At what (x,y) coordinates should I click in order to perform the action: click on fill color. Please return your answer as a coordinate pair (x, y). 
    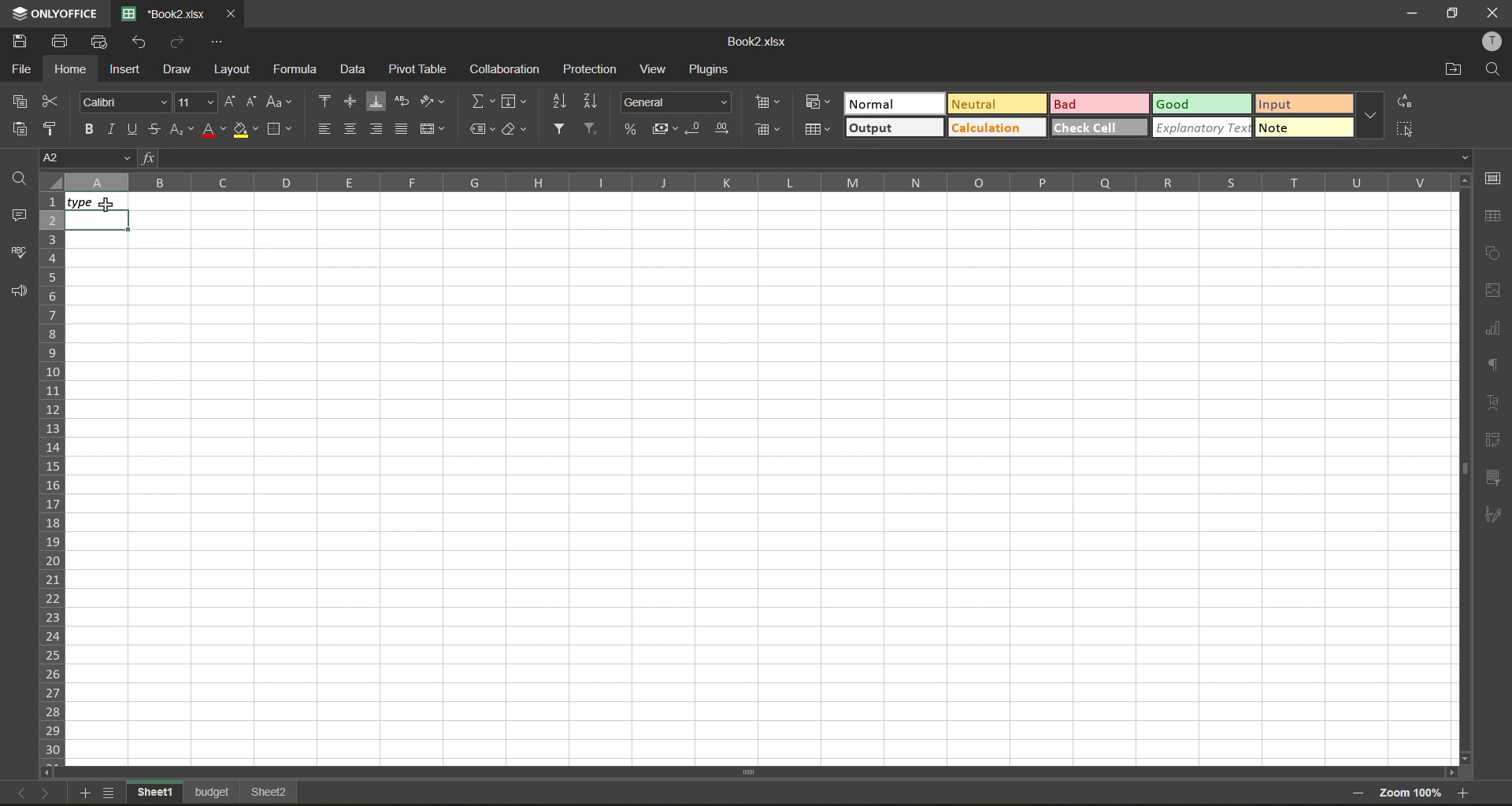
    Looking at the image, I should click on (245, 131).